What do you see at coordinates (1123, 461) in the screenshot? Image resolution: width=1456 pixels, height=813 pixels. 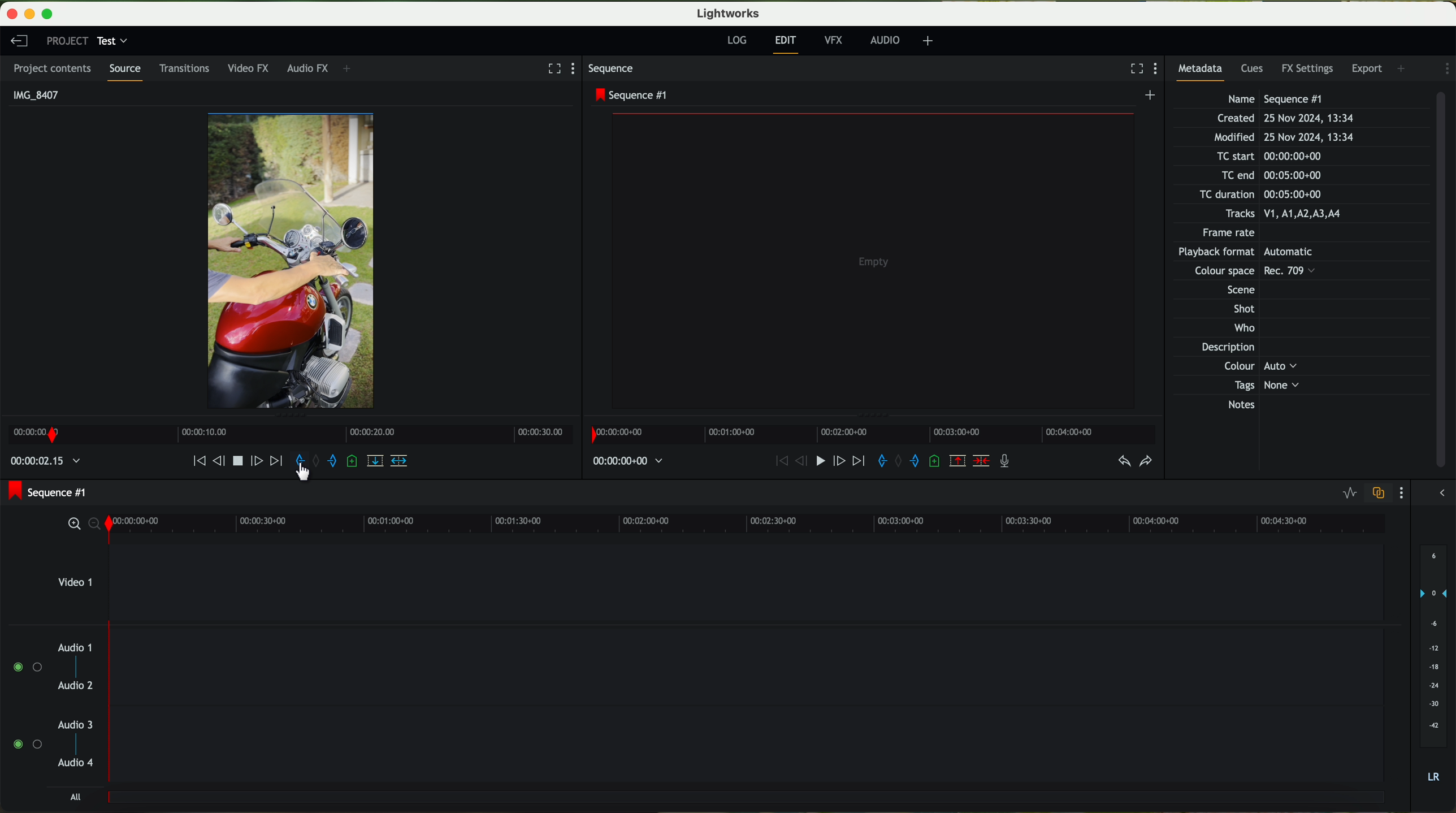 I see `undo` at bounding box center [1123, 461].